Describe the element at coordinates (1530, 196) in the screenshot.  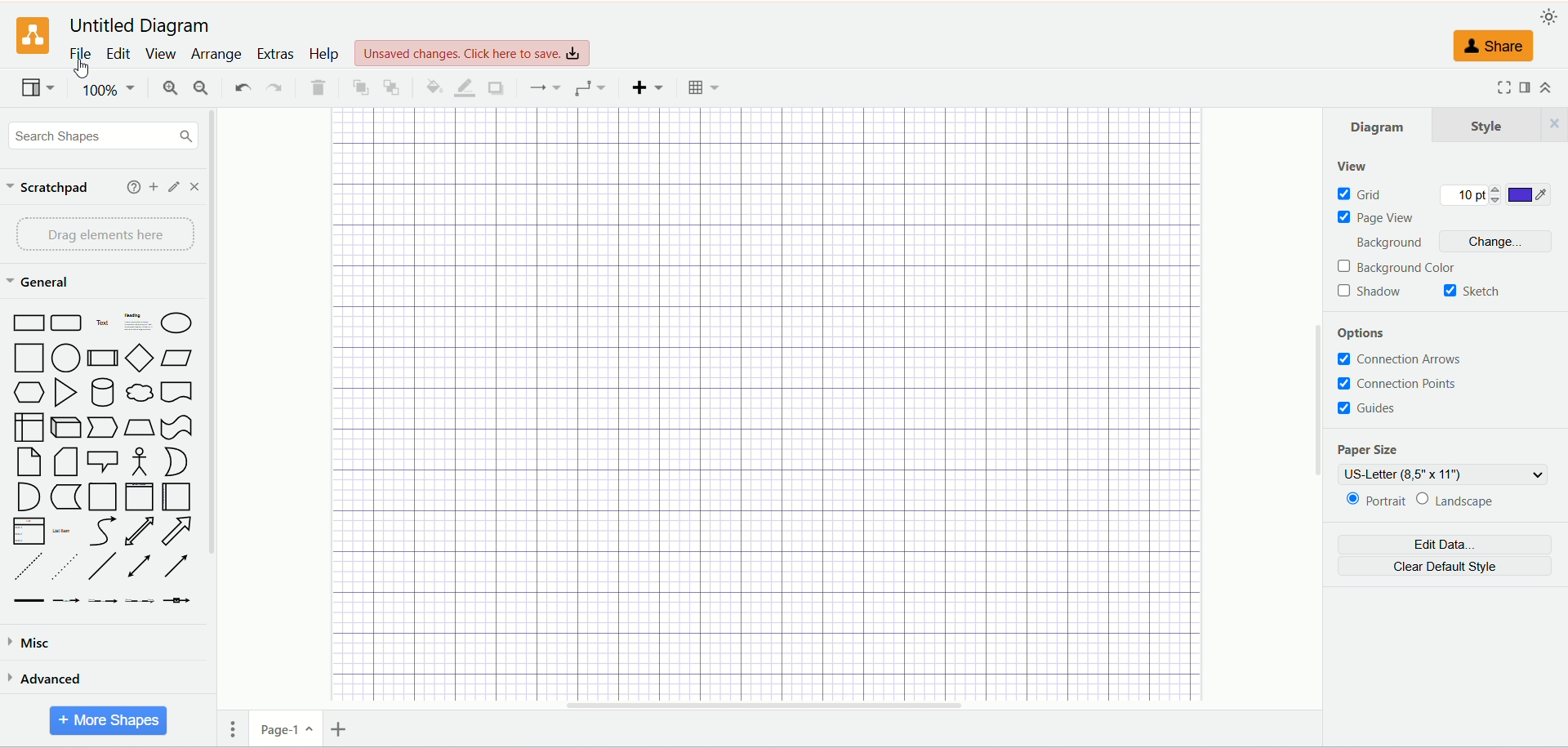
I see `color` at that location.